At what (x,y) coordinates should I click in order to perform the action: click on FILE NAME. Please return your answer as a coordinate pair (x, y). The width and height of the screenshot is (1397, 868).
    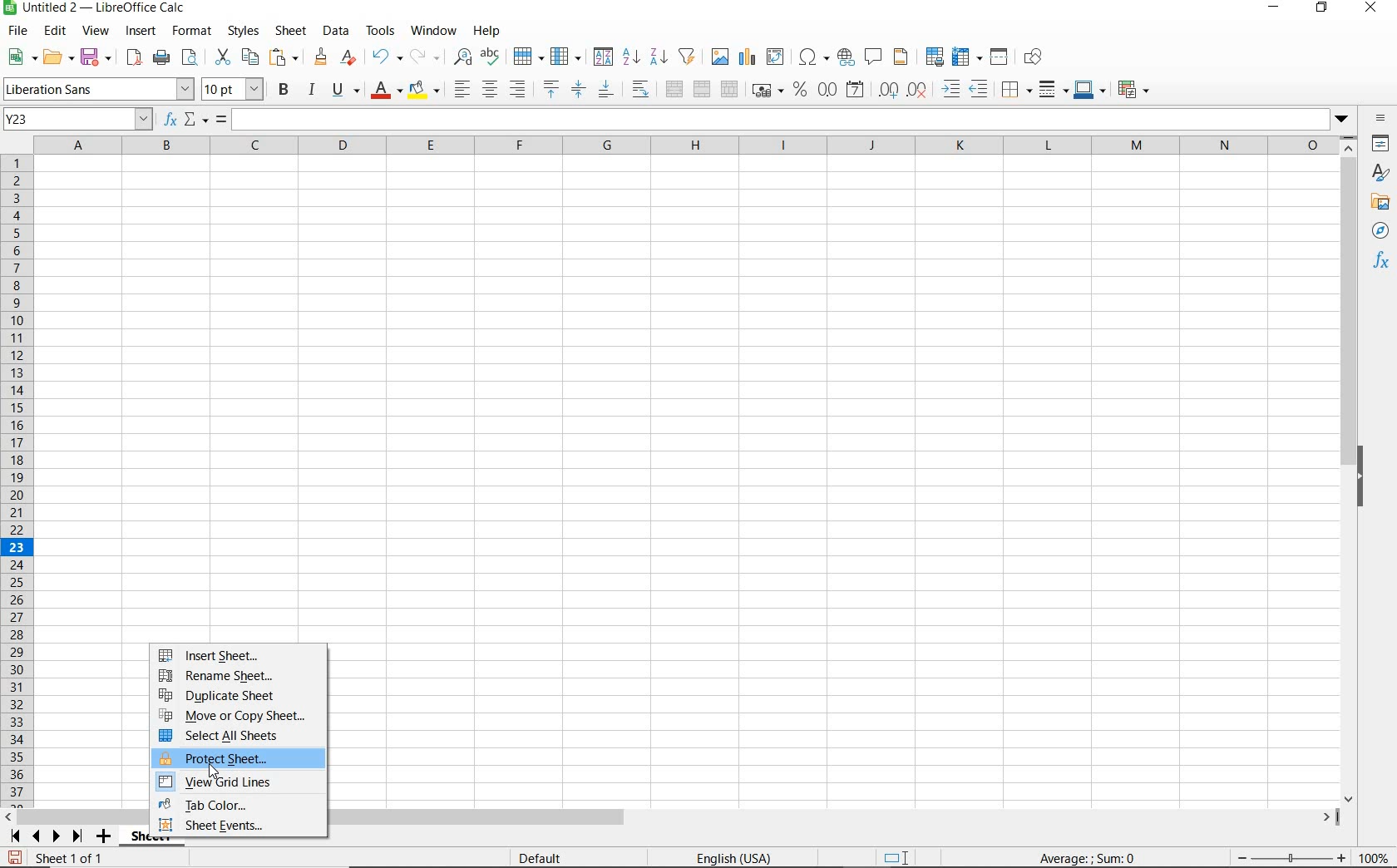
    Looking at the image, I should click on (97, 9).